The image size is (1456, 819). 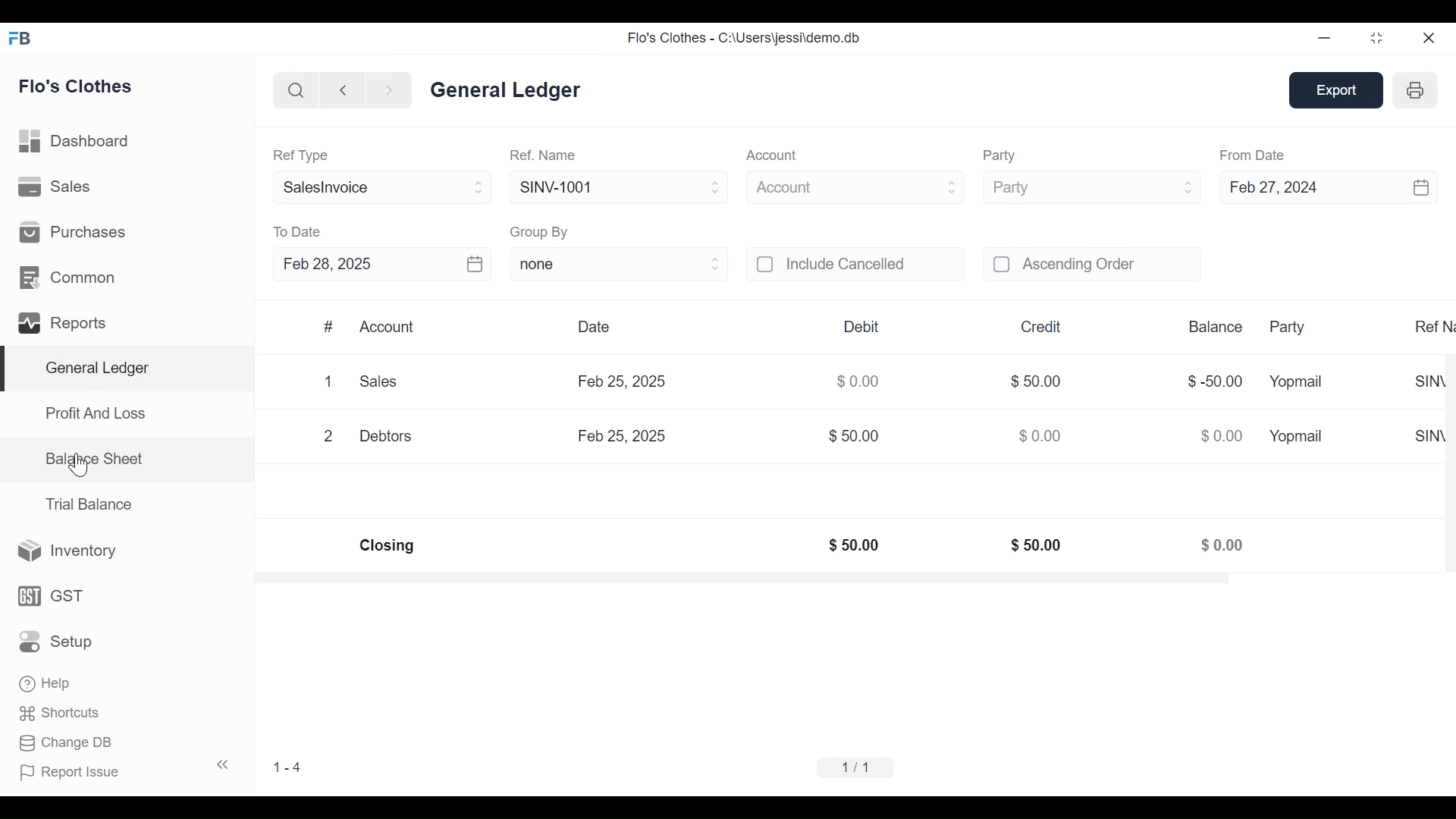 What do you see at coordinates (97, 370) in the screenshot?
I see `General Ledger` at bounding box center [97, 370].